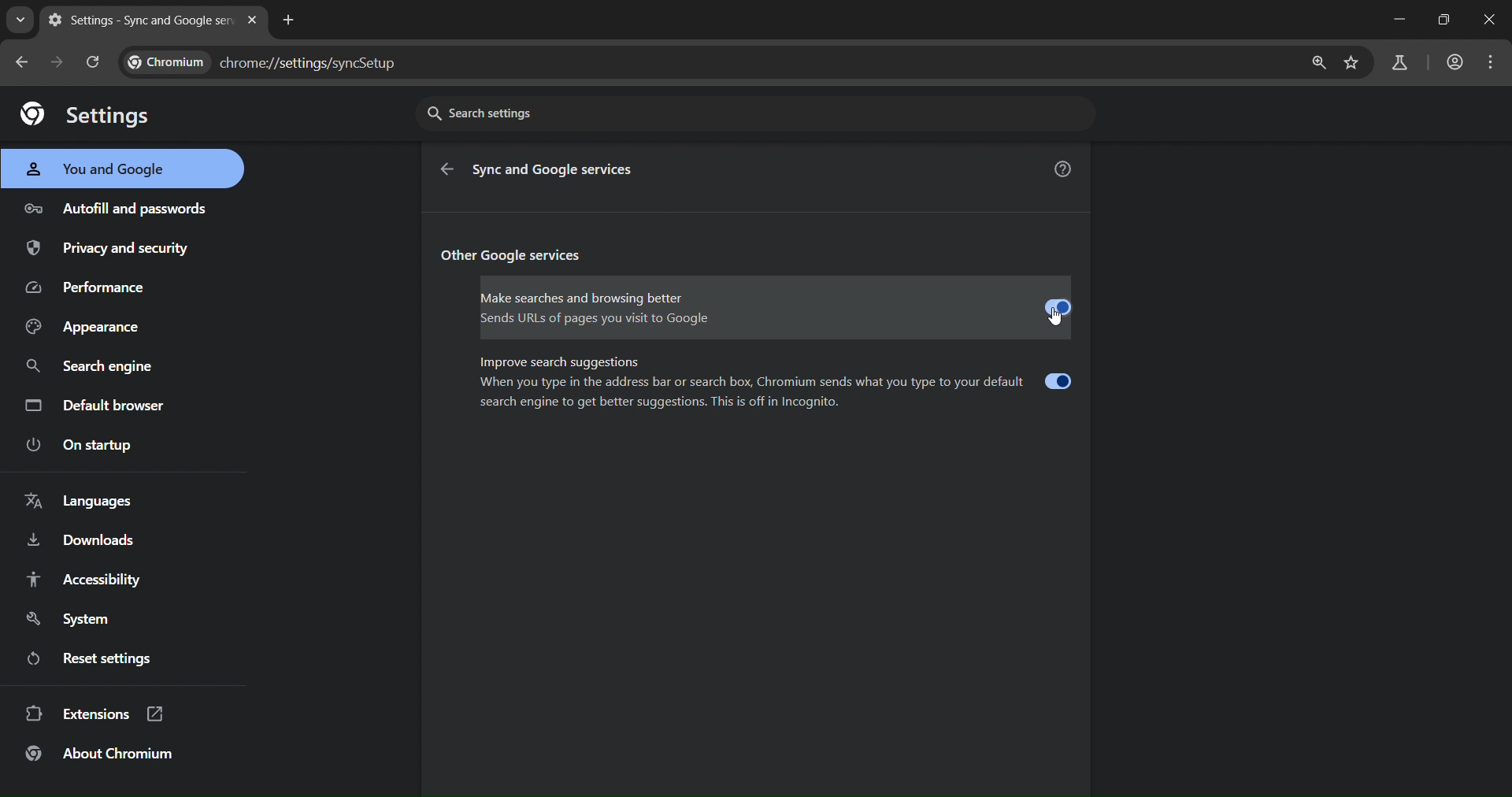  What do you see at coordinates (98, 407) in the screenshot?
I see `default browser` at bounding box center [98, 407].